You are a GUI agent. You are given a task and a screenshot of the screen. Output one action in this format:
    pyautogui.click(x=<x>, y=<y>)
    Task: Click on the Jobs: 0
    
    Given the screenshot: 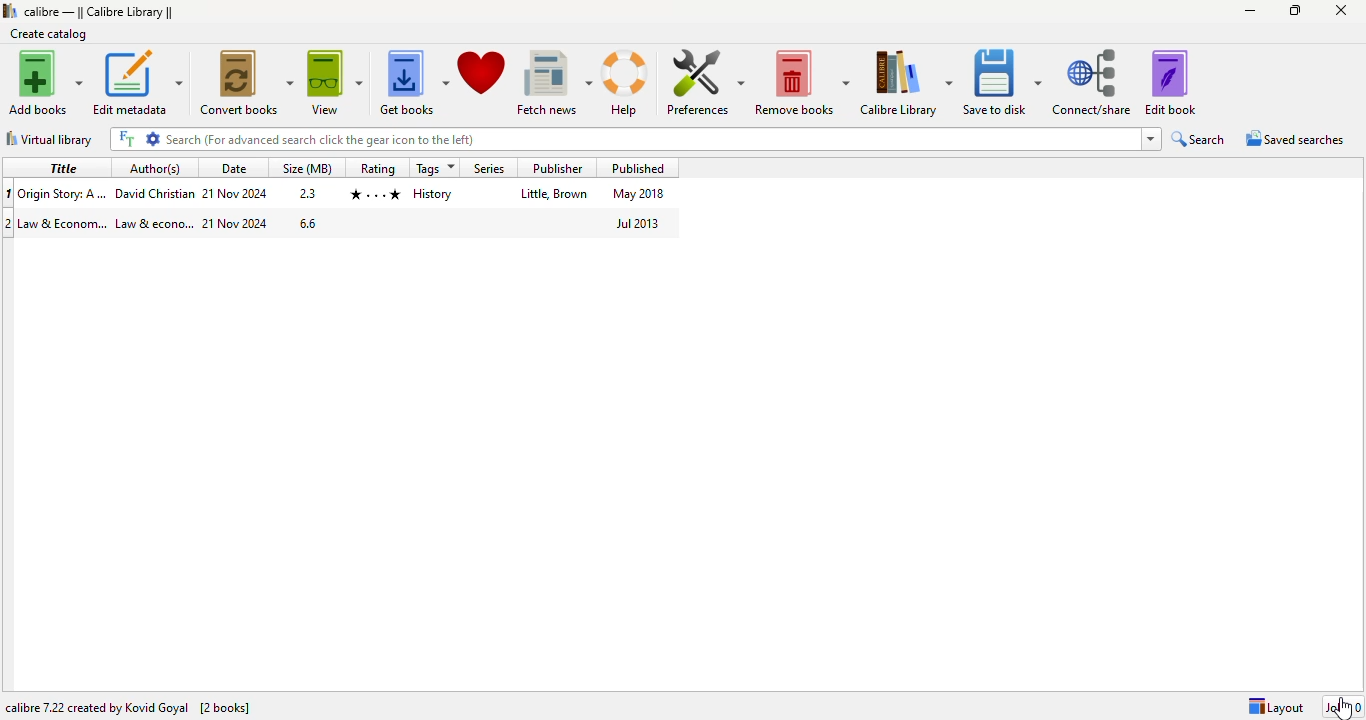 What is the action you would take?
    pyautogui.click(x=1345, y=706)
    